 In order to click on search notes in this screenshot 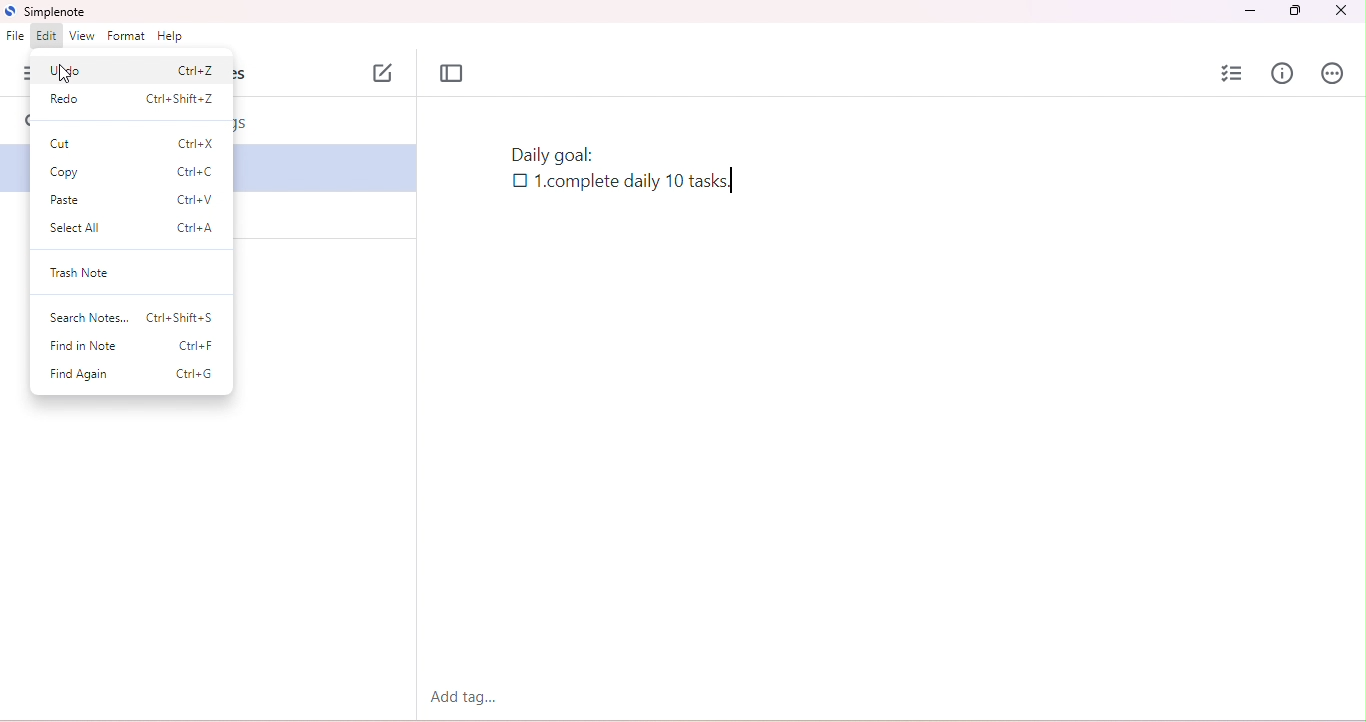, I will do `click(134, 318)`.